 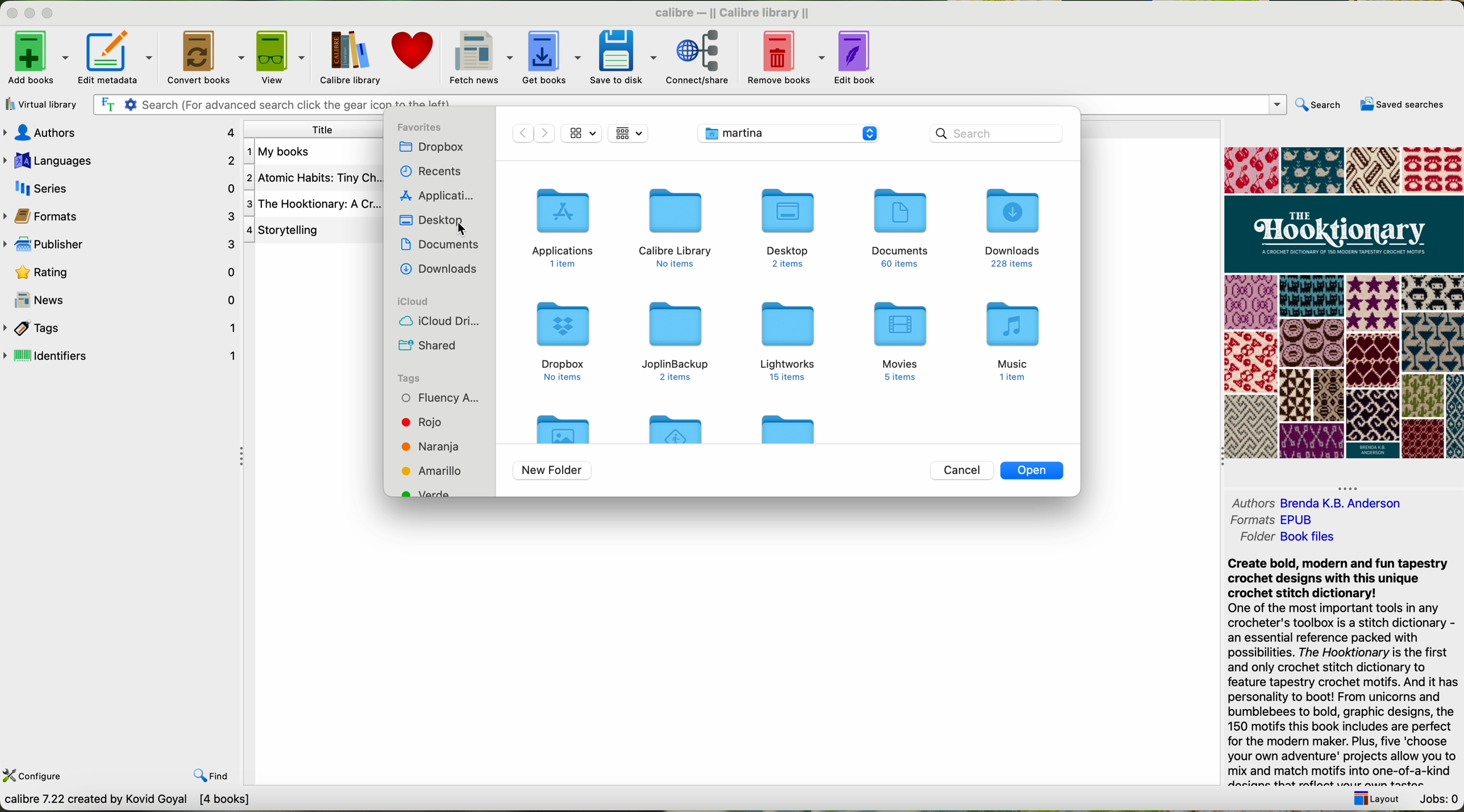 I want to click on get books, so click(x=551, y=56).